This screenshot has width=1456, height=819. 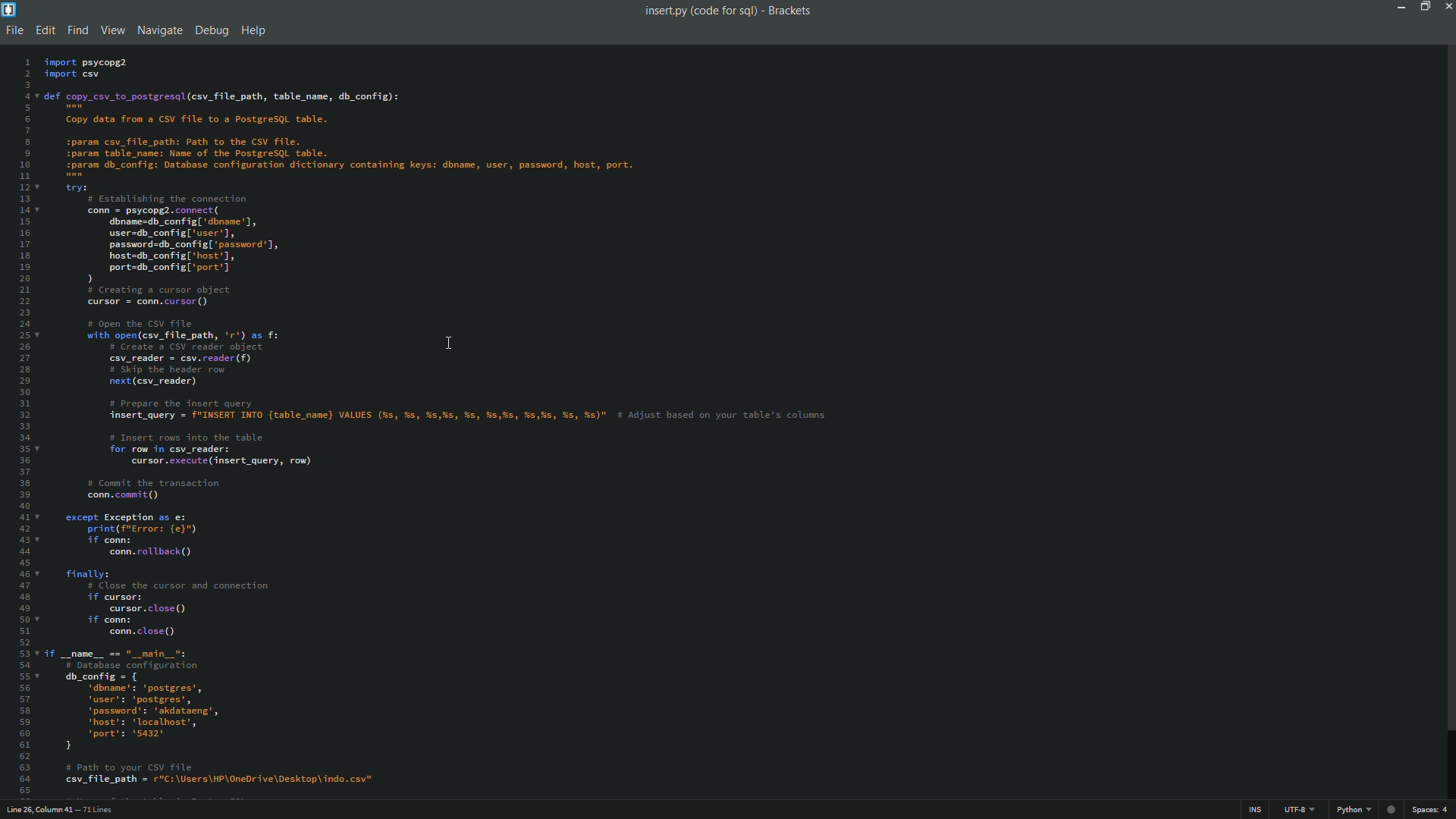 What do you see at coordinates (98, 809) in the screenshot?
I see `number of lines` at bounding box center [98, 809].